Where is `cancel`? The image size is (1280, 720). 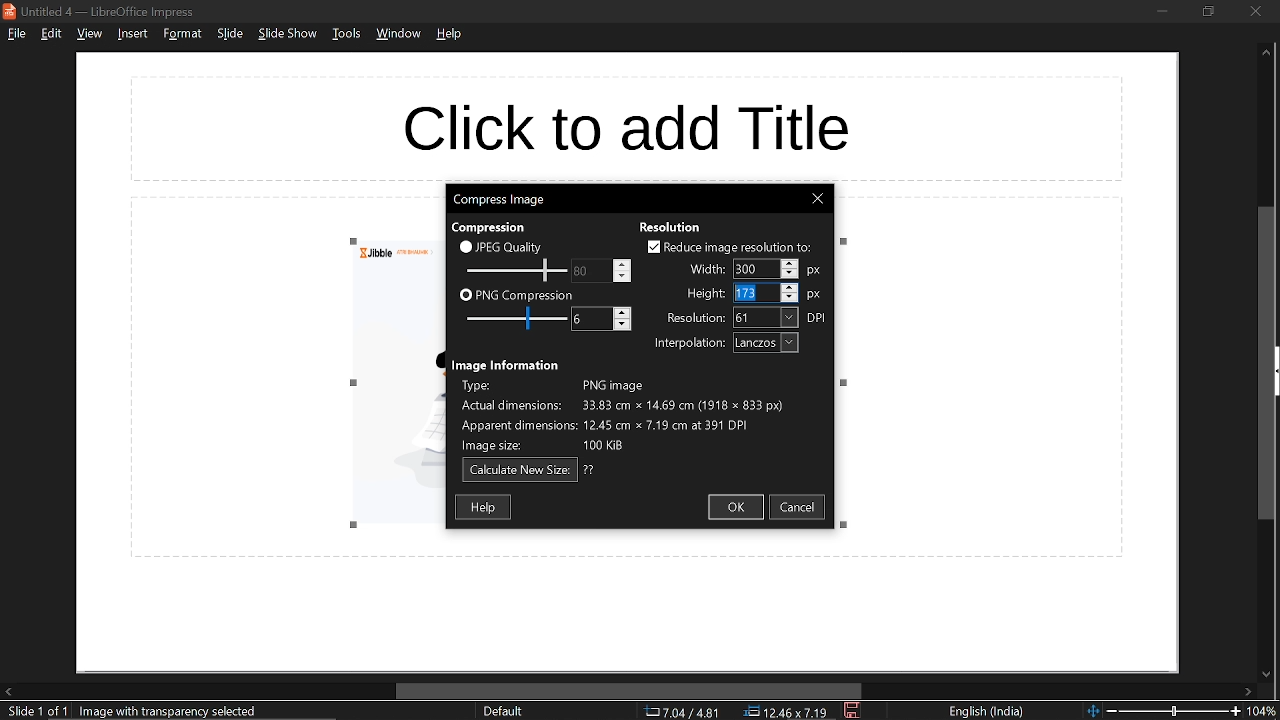
cancel is located at coordinates (801, 509).